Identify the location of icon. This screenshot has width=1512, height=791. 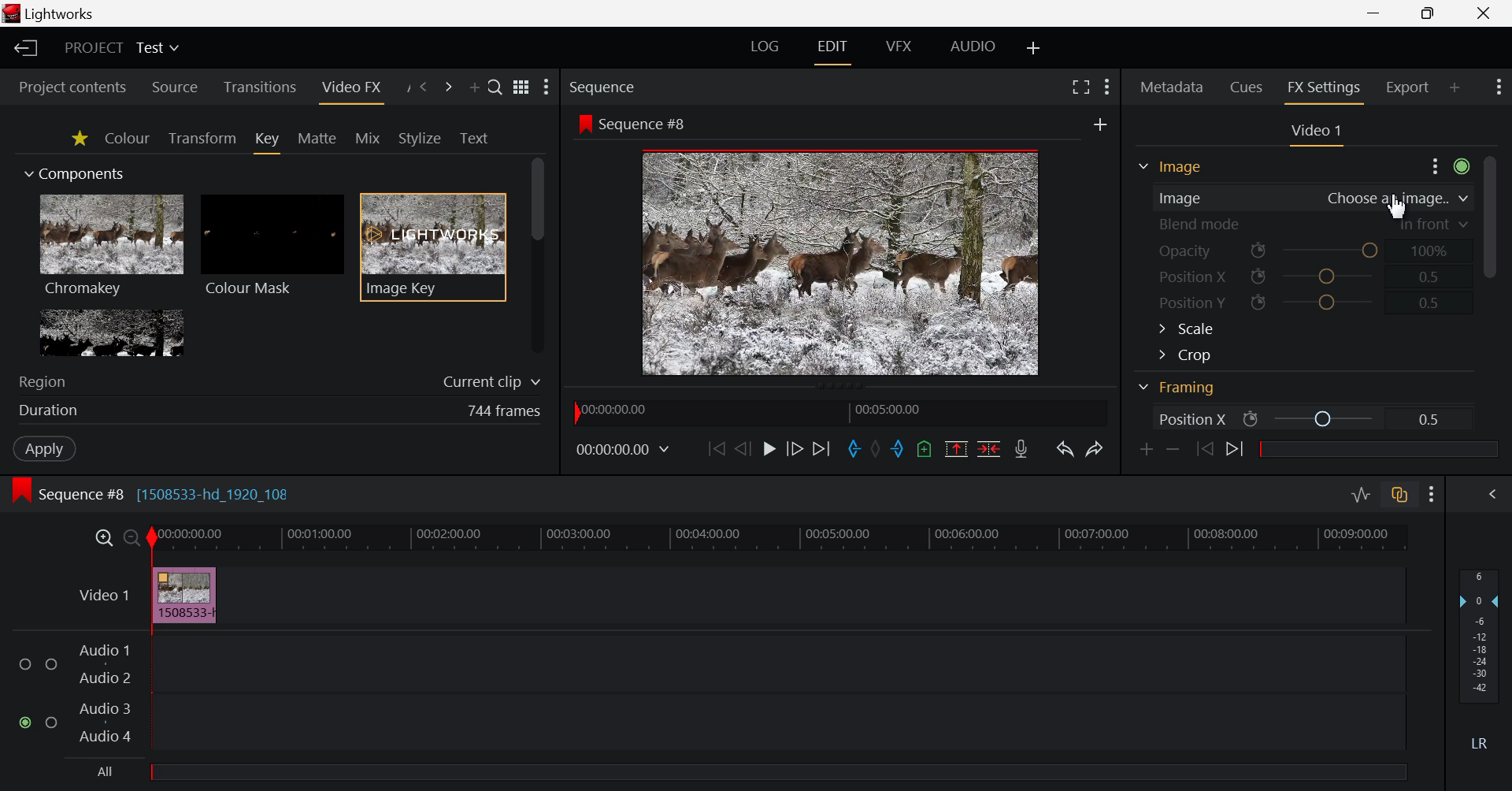
(1259, 276).